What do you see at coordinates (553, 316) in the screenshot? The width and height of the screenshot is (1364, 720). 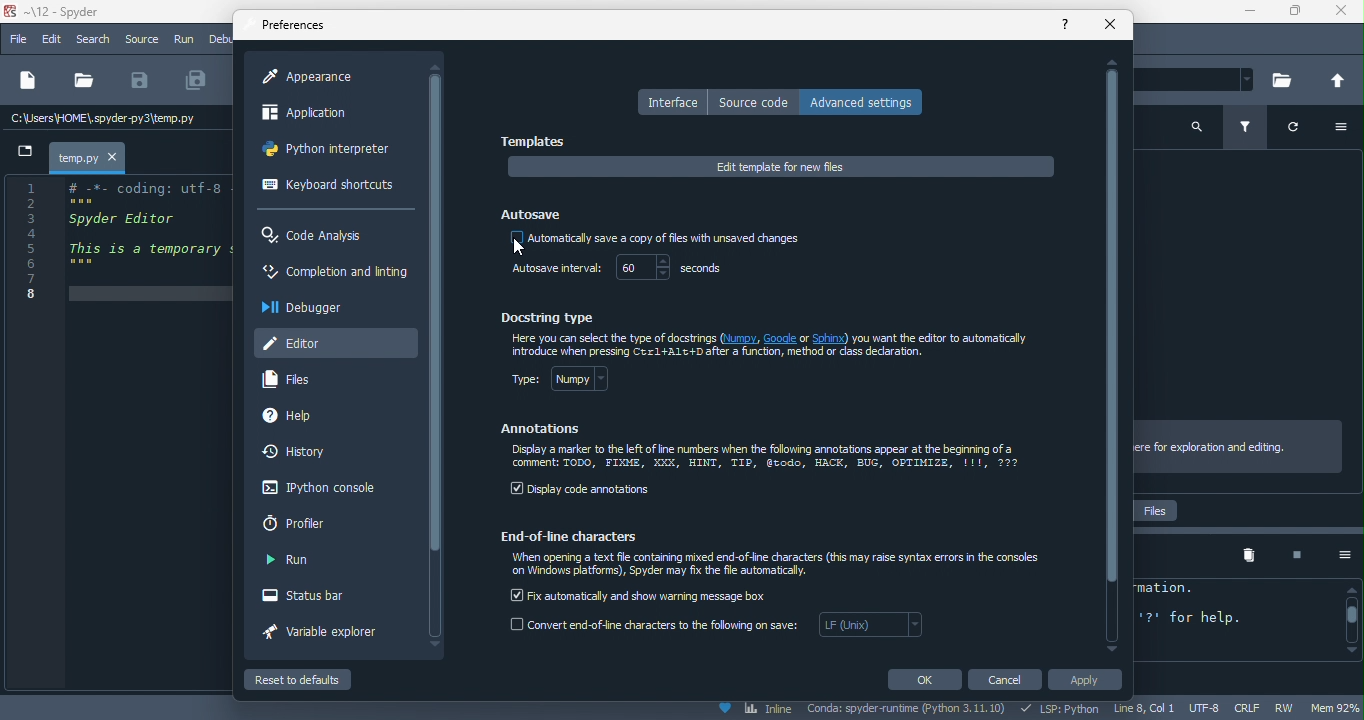 I see `docstring` at bounding box center [553, 316].